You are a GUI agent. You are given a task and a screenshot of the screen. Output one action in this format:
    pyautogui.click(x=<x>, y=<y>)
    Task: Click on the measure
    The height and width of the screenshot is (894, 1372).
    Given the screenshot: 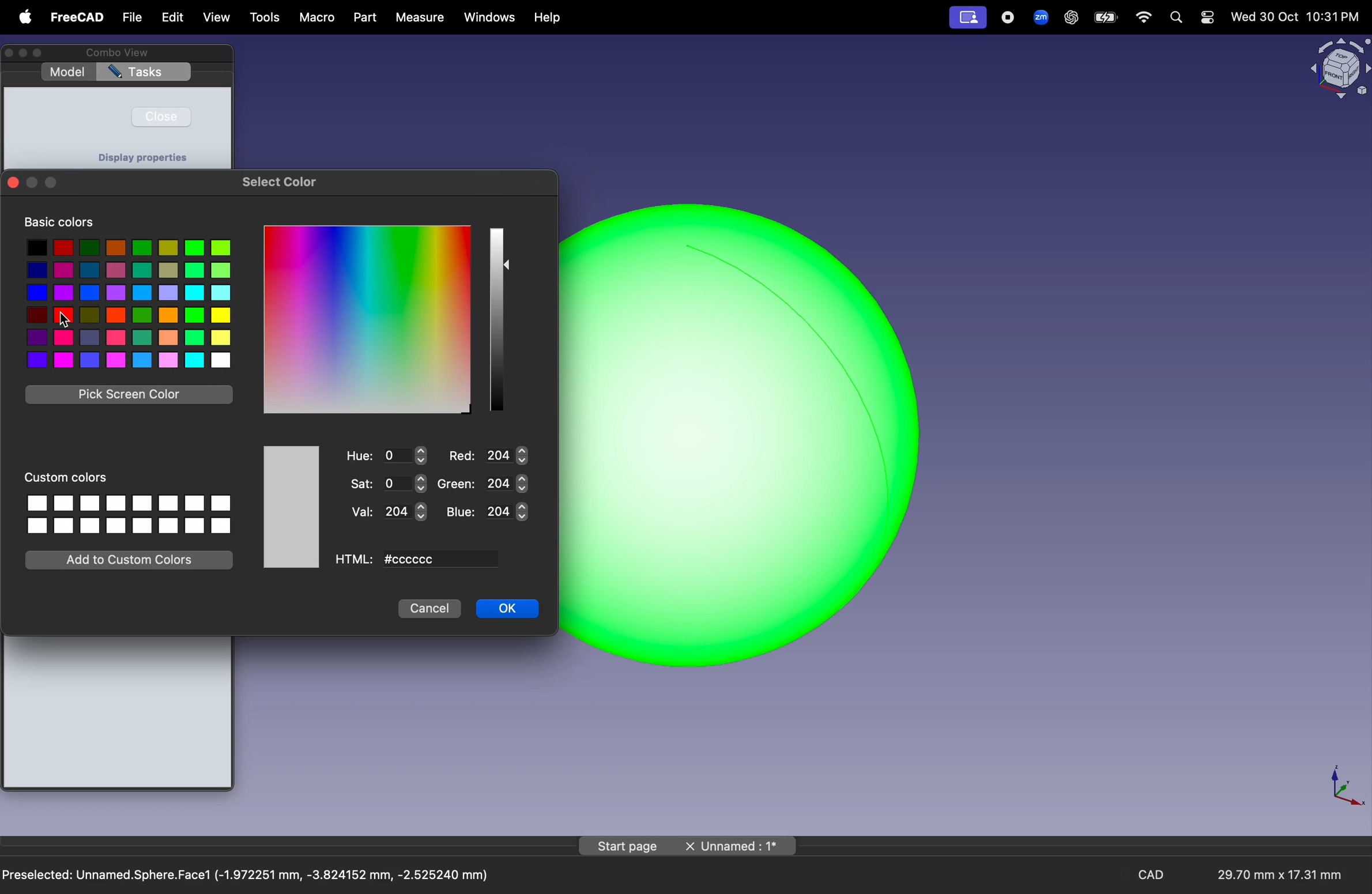 What is the action you would take?
    pyautogui.click(x=418, y=17)
    